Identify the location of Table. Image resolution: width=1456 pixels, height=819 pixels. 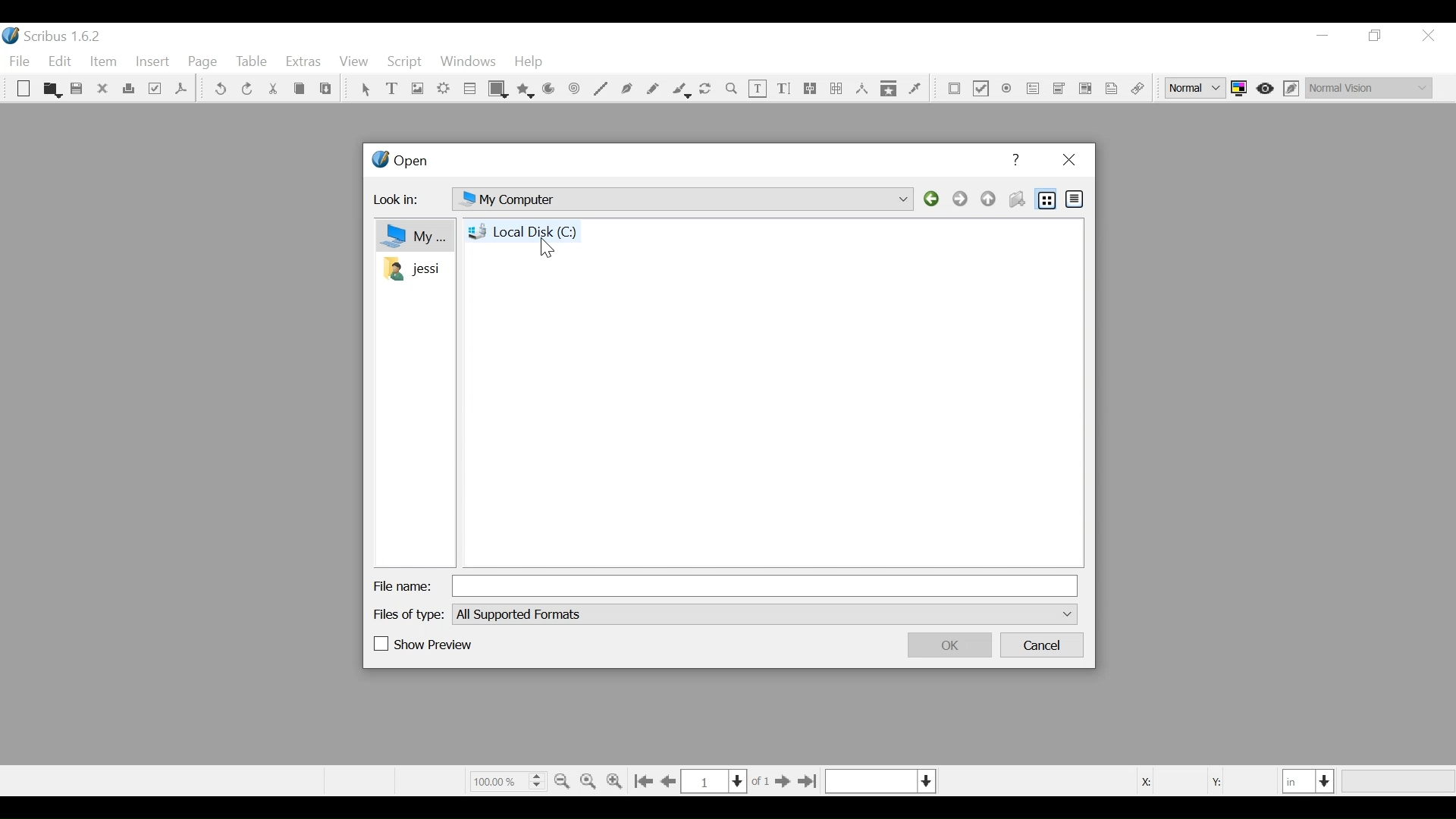
(253, 63).